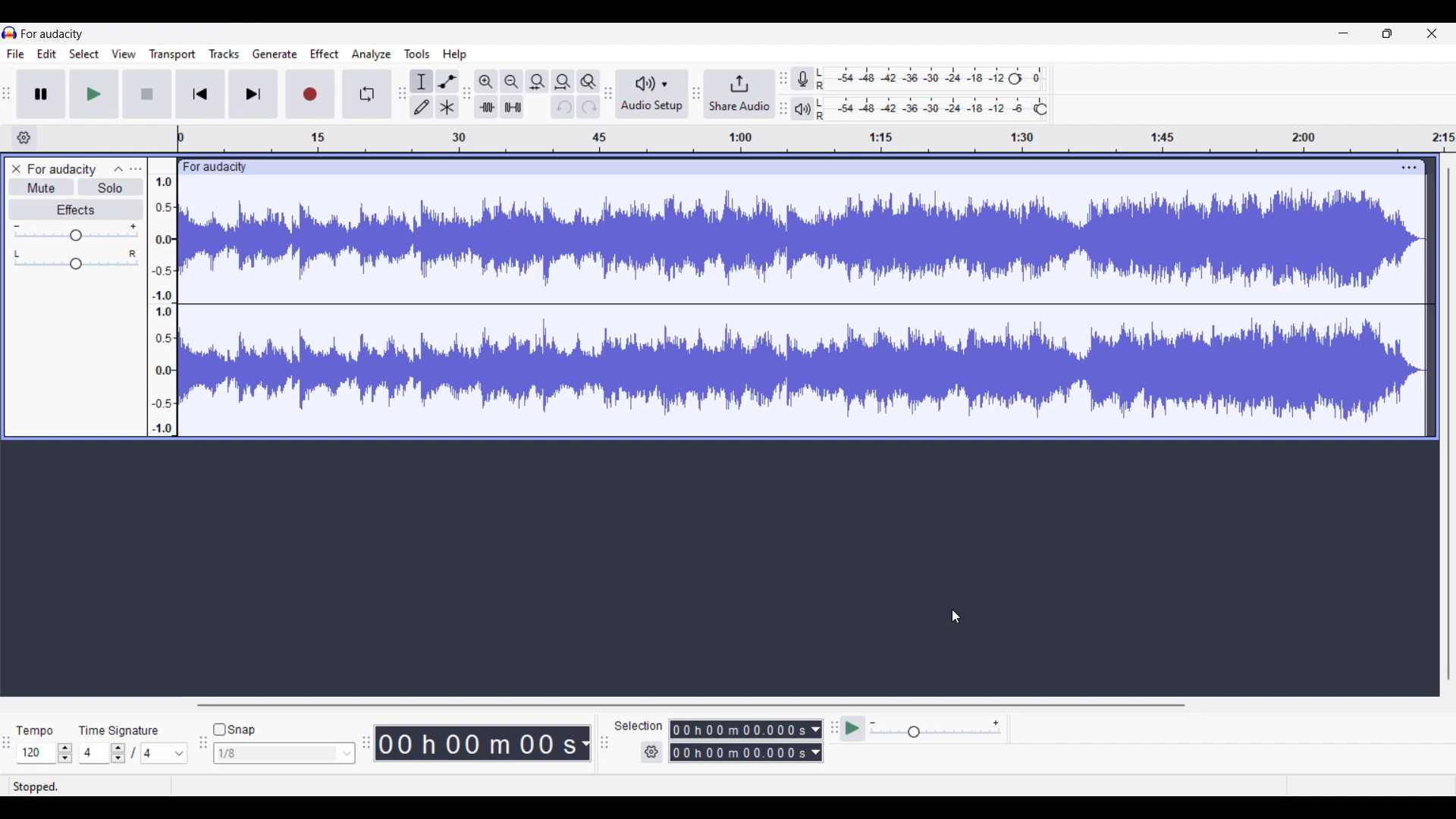  What do you see at coordinates (162, 297) in the screenshot?
I see `Scale to measure intensity of waves in track` at bounding box center [162, 297].